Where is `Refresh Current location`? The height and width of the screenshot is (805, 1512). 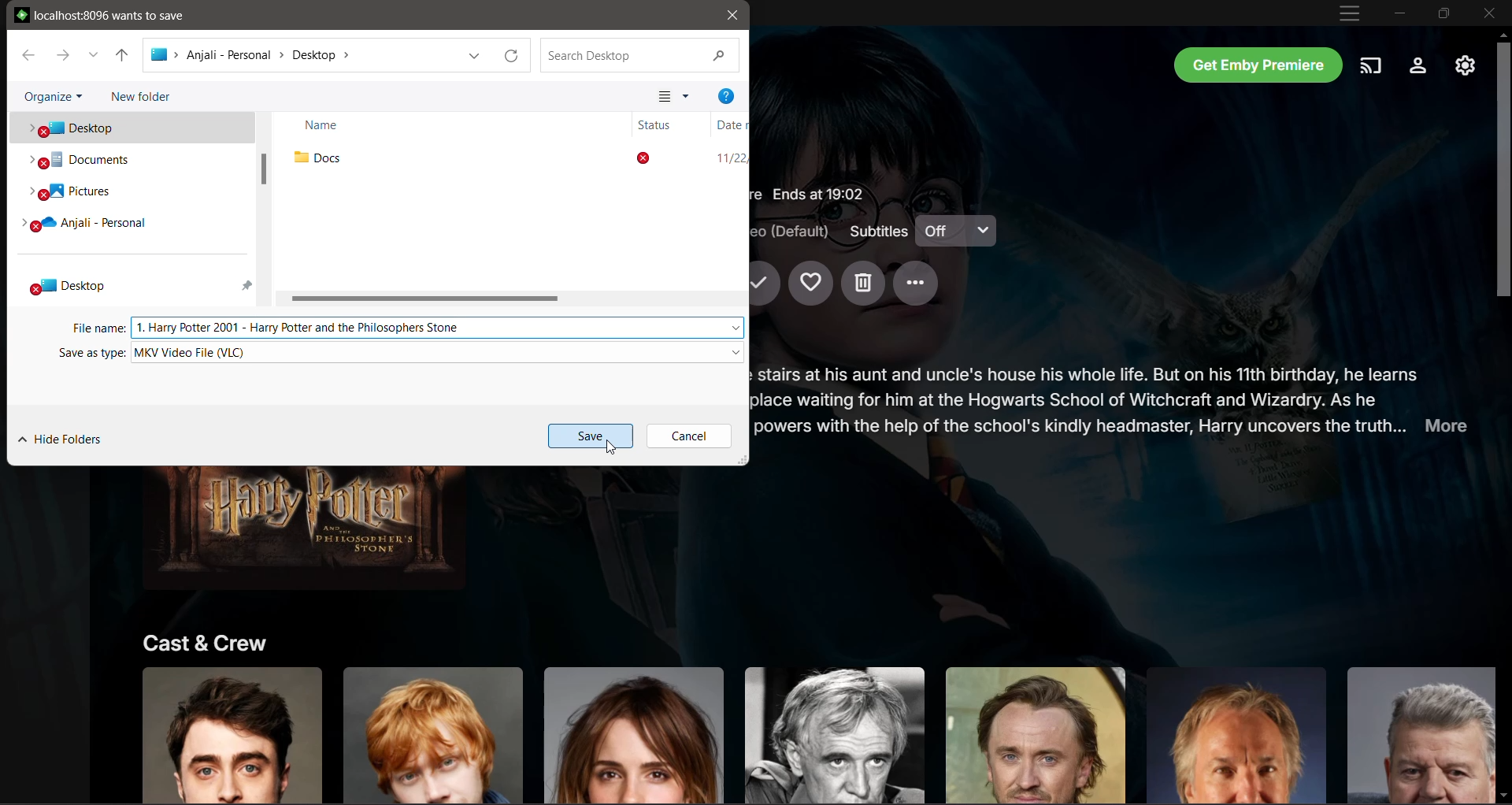
Refresh Current location is located at coordinates (512, 56).